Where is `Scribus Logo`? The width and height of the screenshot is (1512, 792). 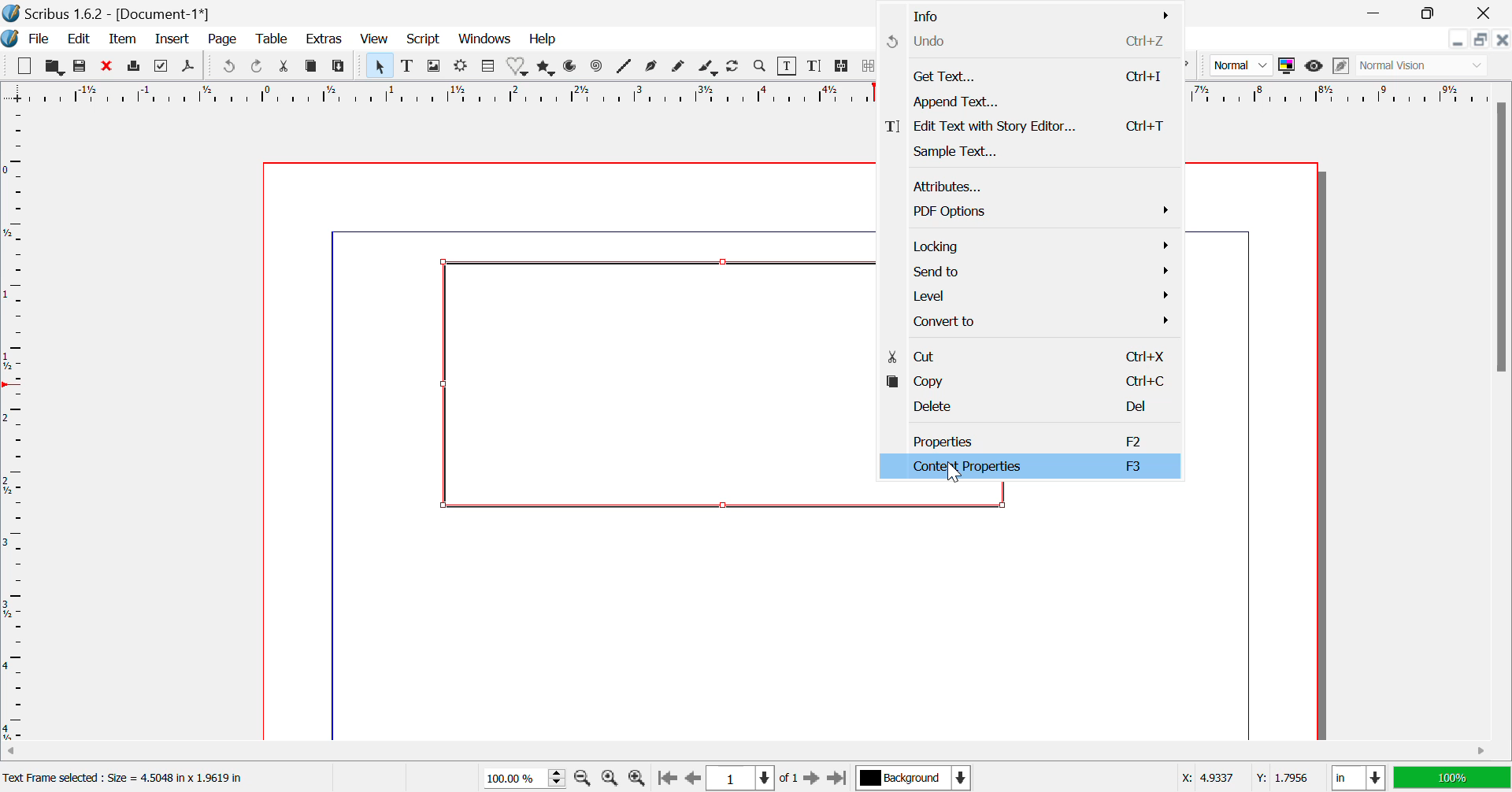 Scribus Logo is located at coordinates (11, 39).